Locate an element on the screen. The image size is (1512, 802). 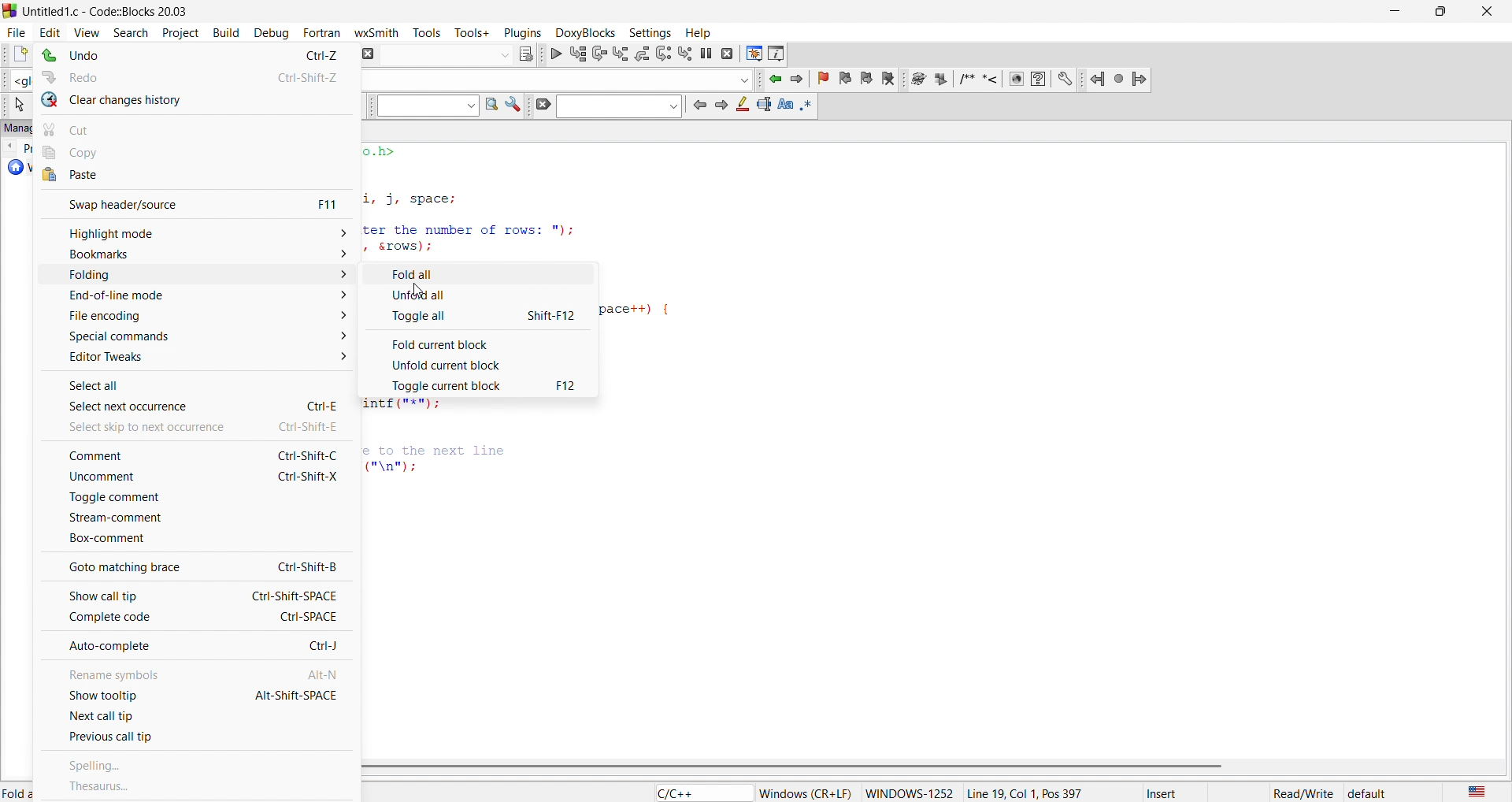
uncomment is located at coordinates (189, 479).